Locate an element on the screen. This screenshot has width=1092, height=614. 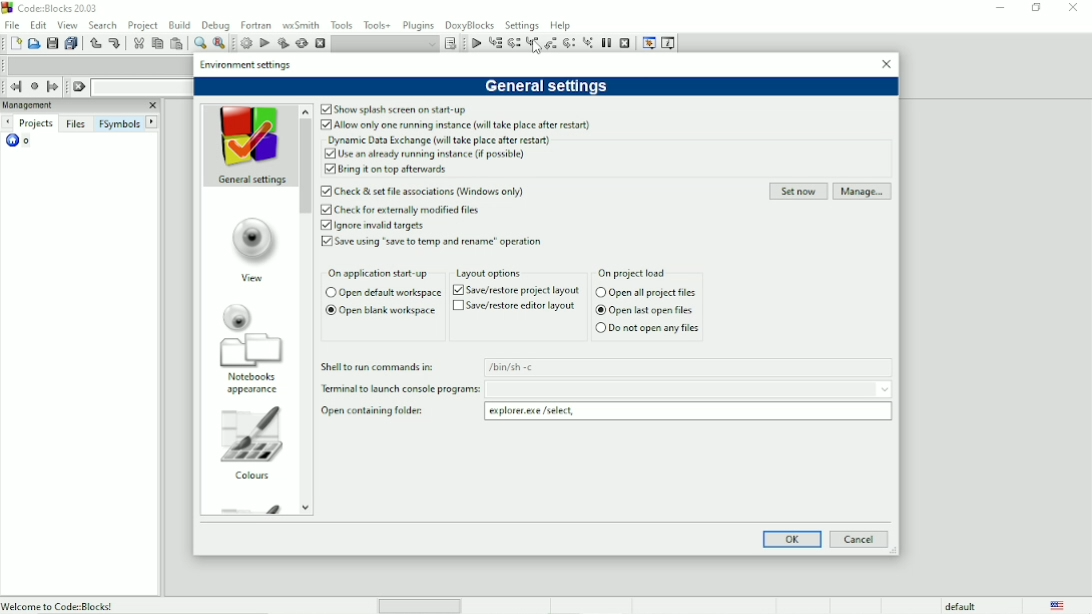
Minimize is located at coordinates (1001, 8).